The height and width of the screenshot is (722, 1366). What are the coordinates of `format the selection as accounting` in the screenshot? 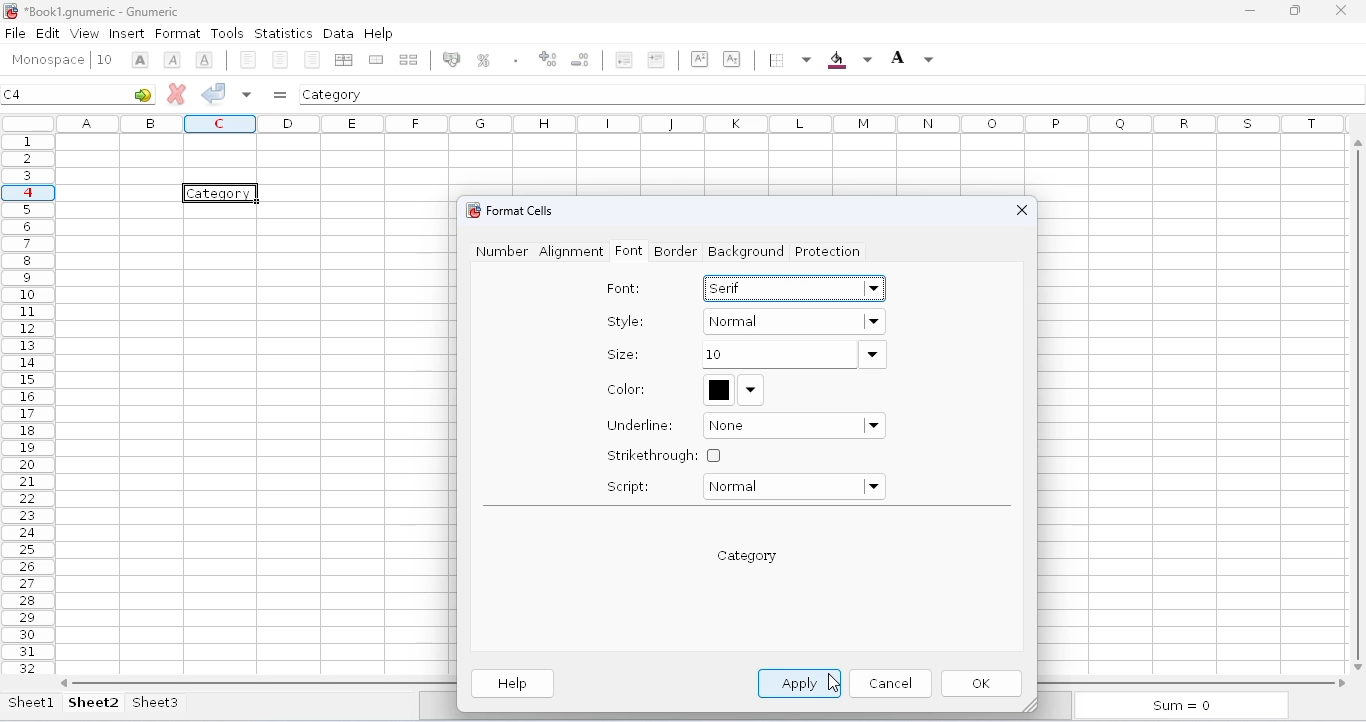 It's located at (451, 59).